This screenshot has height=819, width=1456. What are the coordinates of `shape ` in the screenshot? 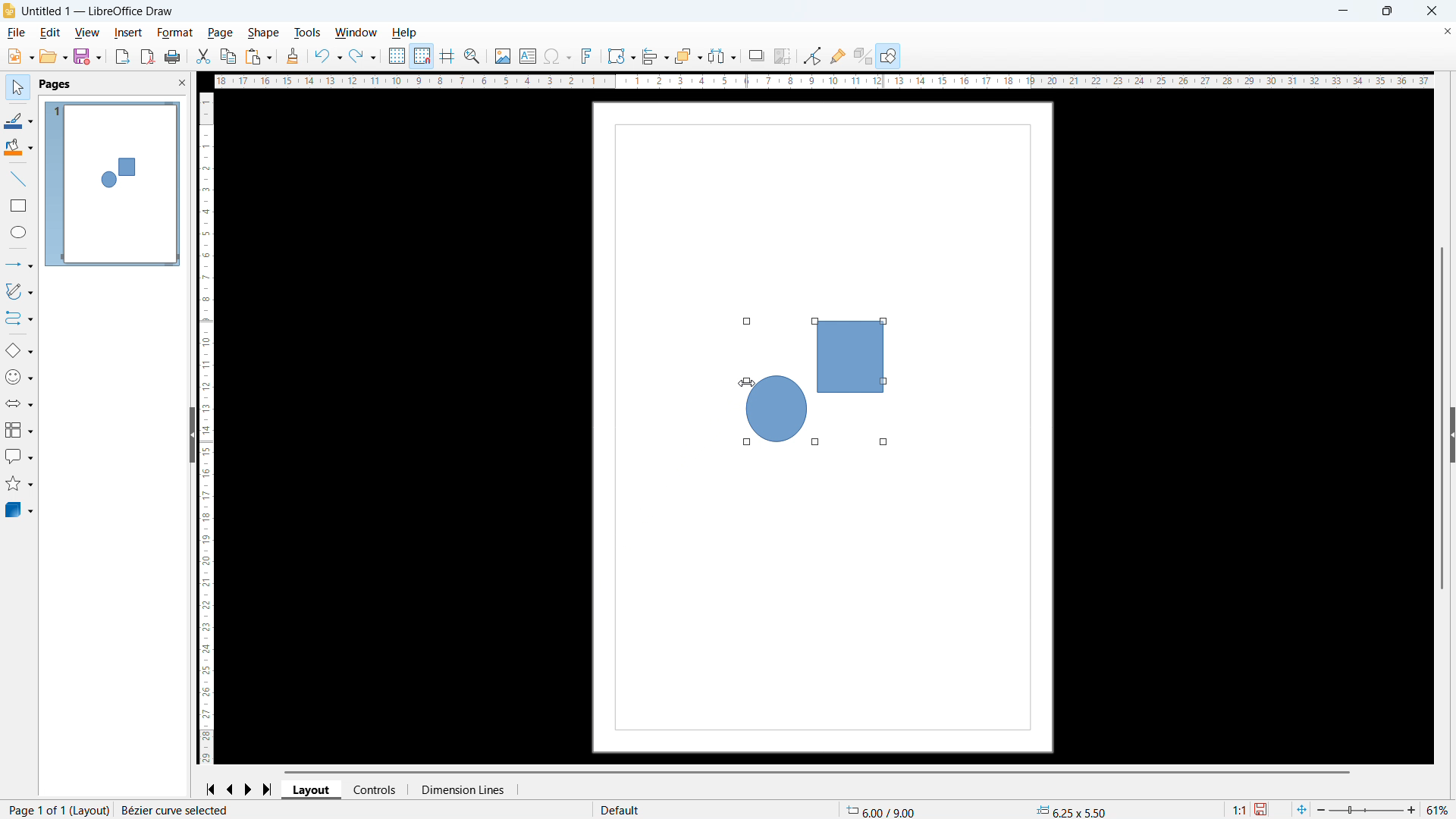 It's located at (264, 33).